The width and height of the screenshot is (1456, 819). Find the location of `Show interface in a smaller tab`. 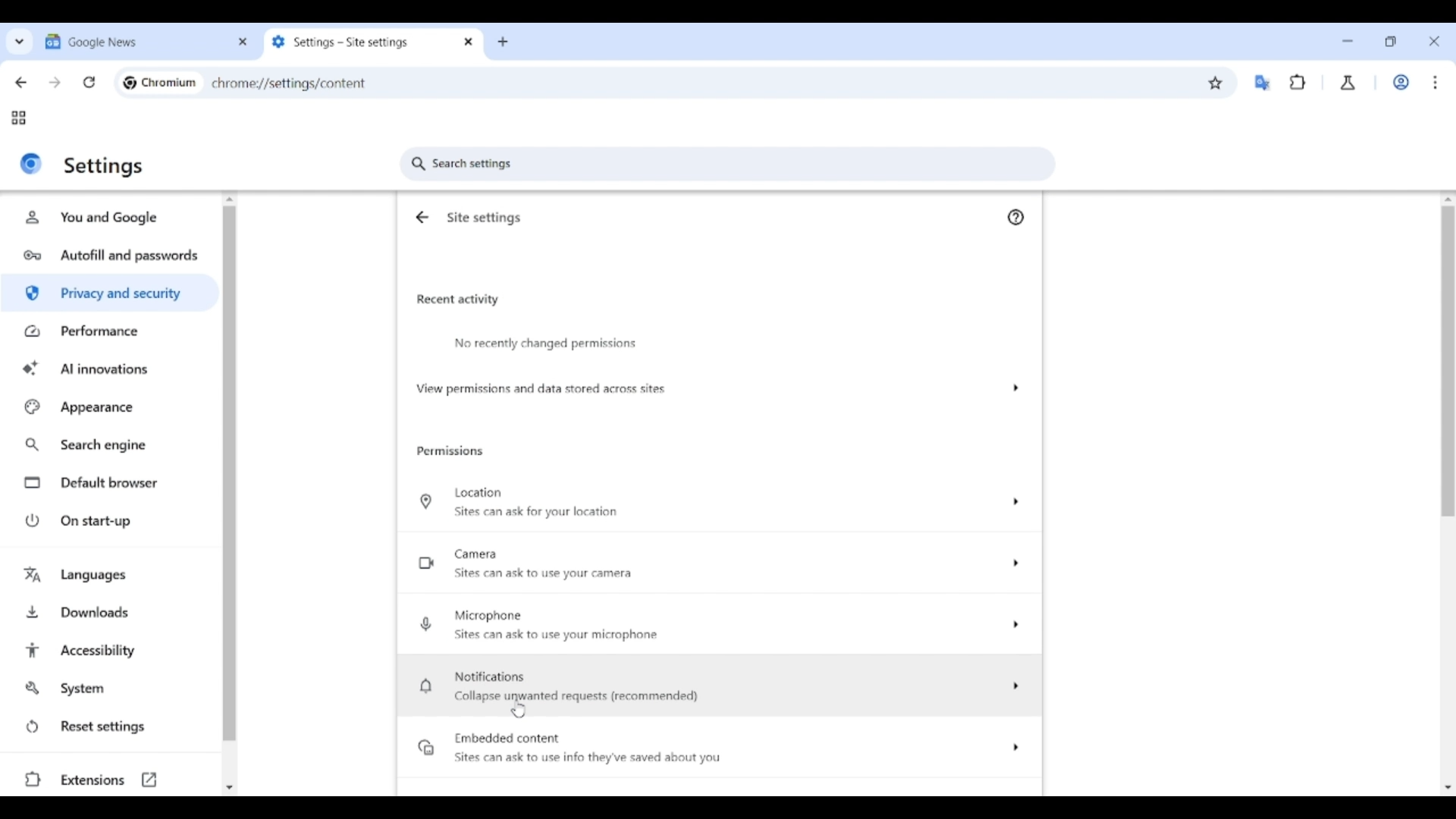

Show interface in a smaller tab is located at coordinates (1390, 42).